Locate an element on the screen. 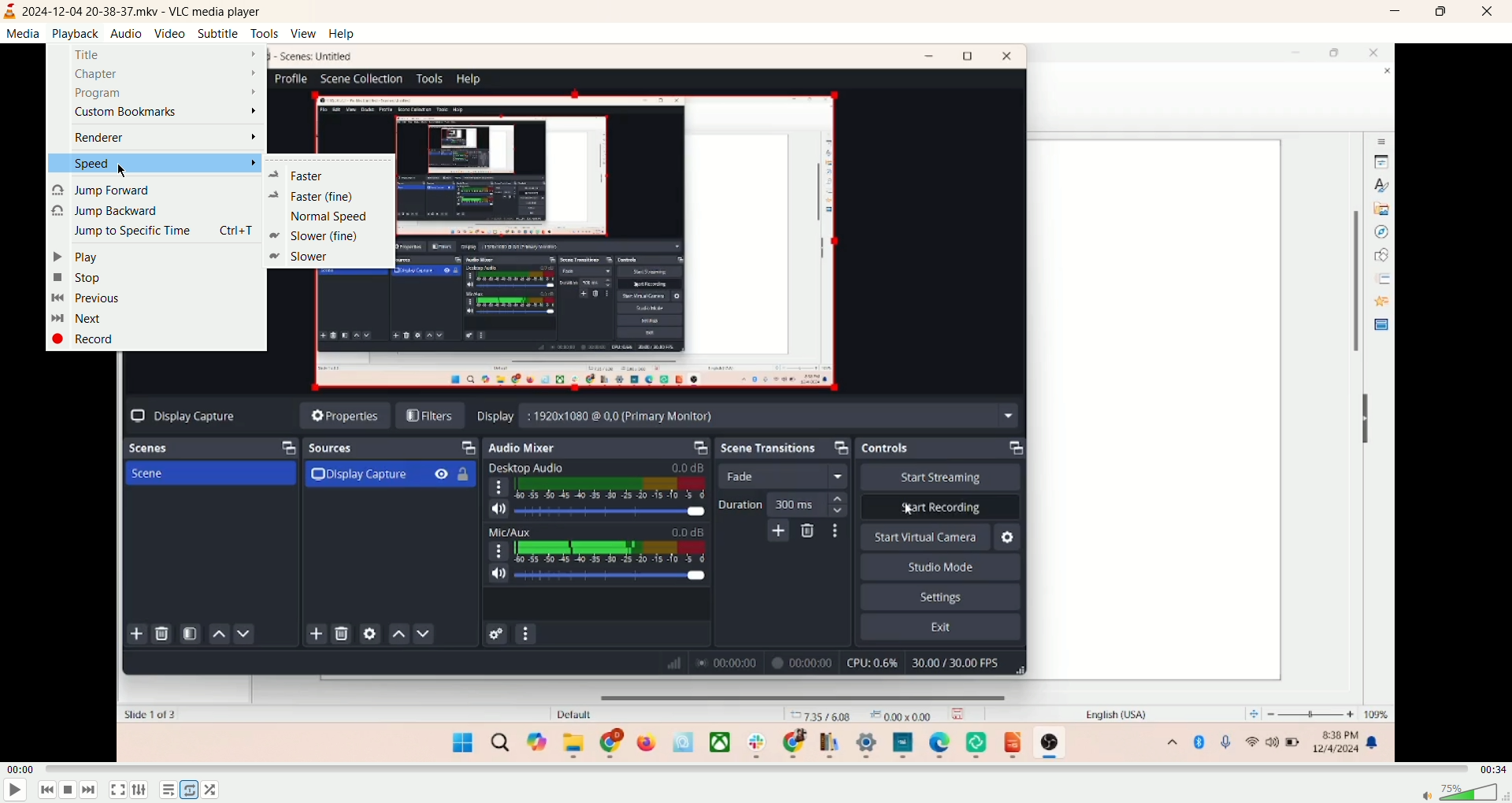 The height and width of the screenshot is (803, 1512). record is located at coordinates (93, 342).